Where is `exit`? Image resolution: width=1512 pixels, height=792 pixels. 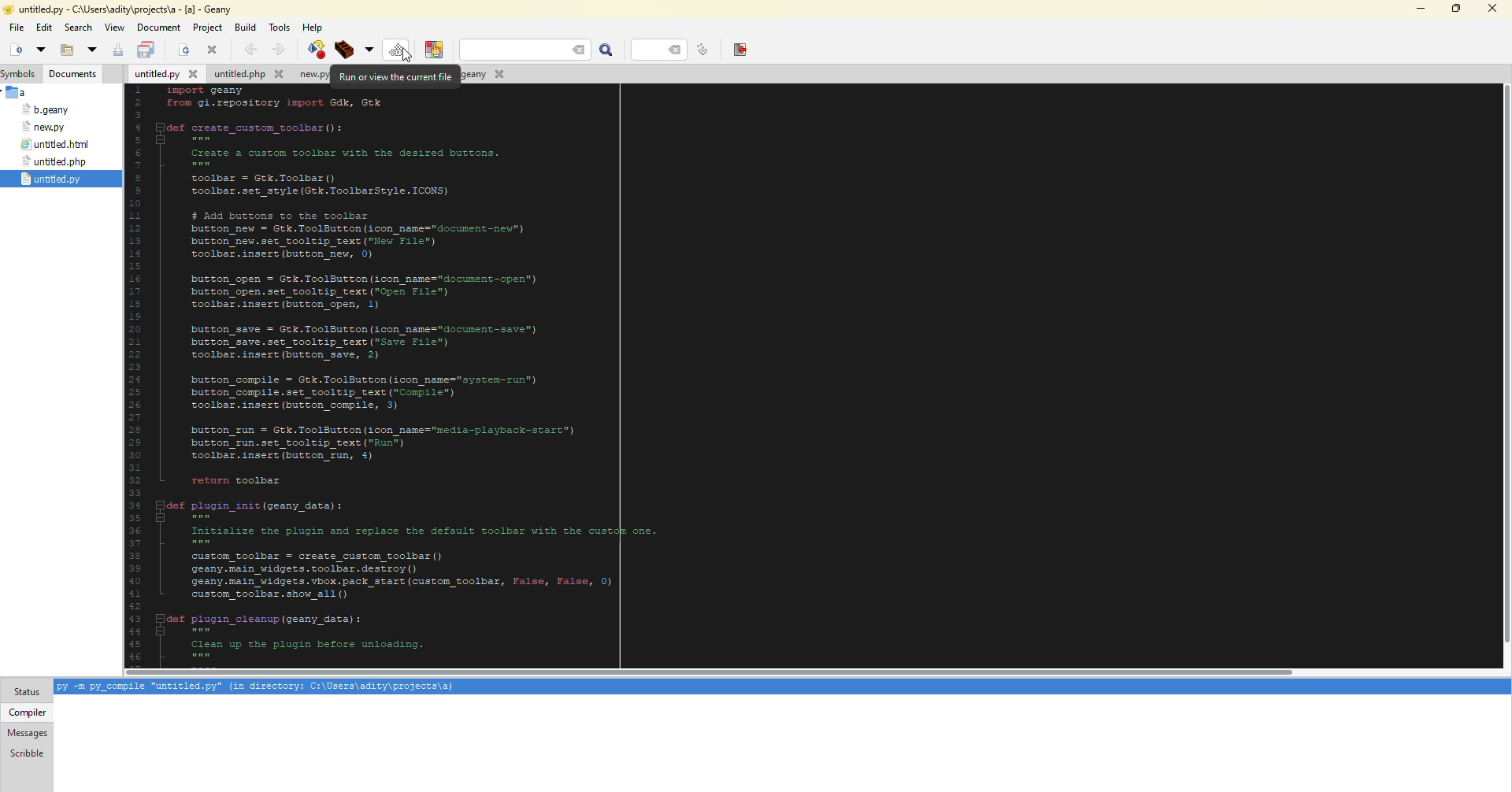
exit is located at coordinates (741, 50).